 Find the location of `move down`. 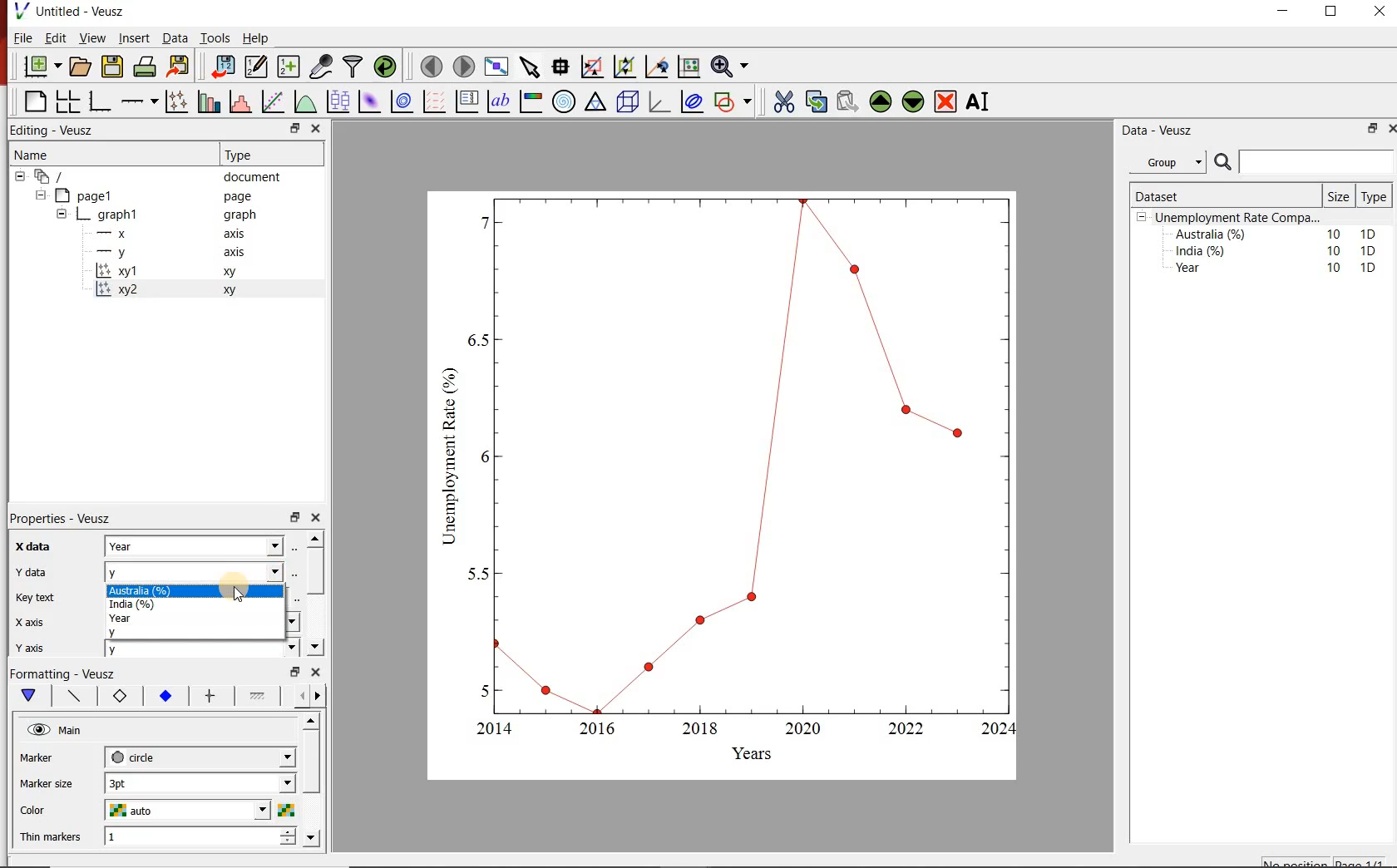

move down is located at coordinates (314, 646).